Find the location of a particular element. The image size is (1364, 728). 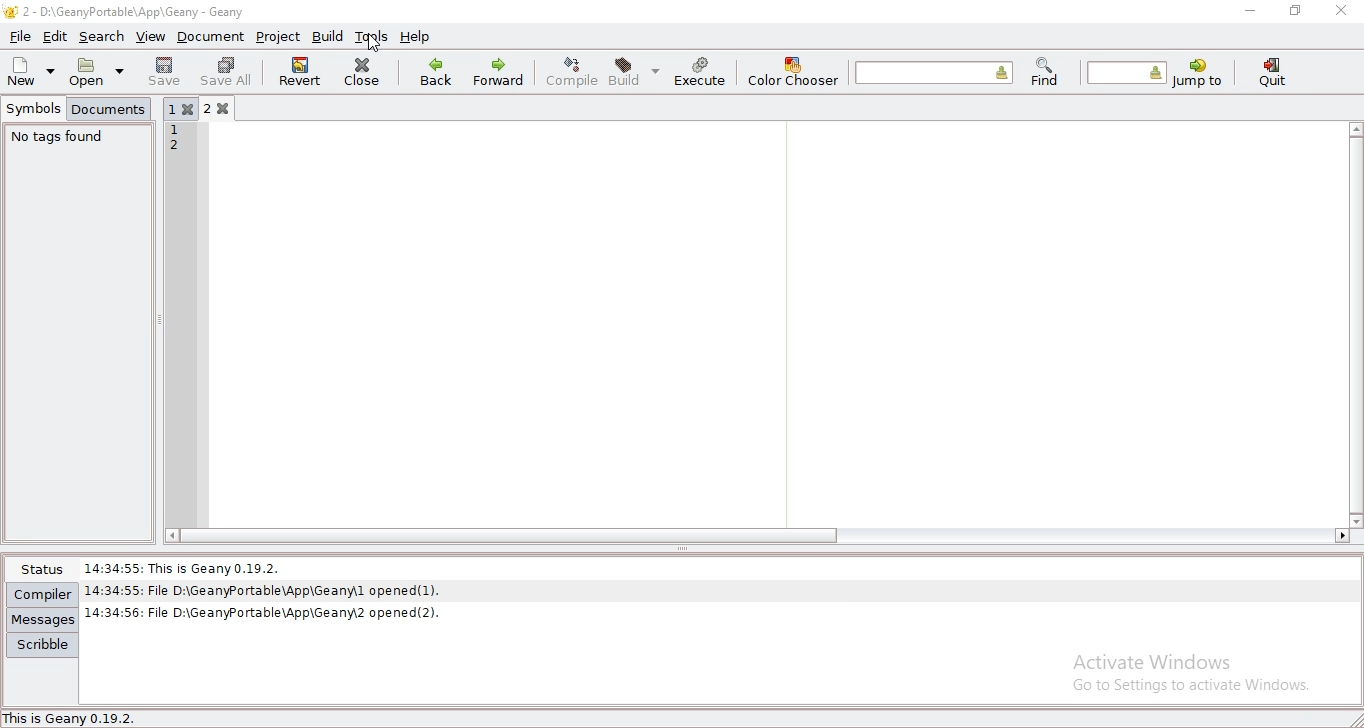

no tags found is located at coordinates (58, 137).